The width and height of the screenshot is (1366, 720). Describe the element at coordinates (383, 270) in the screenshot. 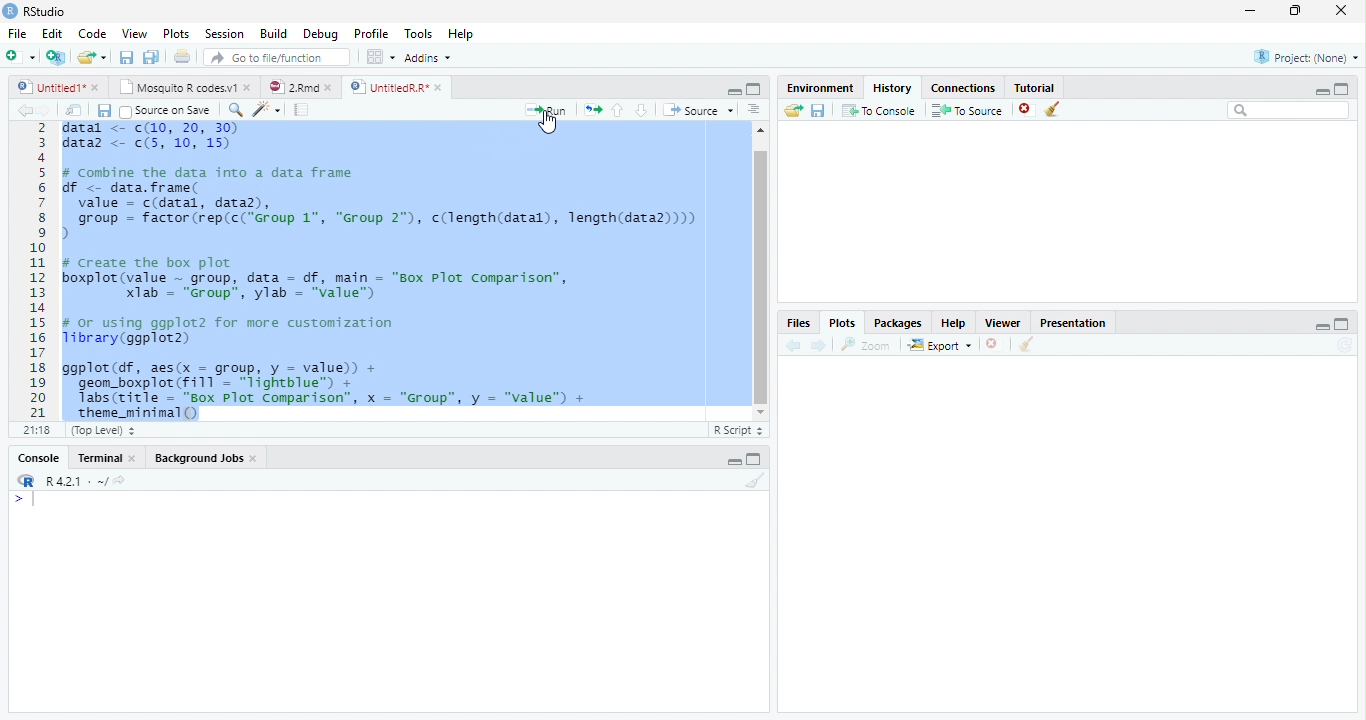

I see `datal <- c(10, 20, 30)
data2 <- c(5, 10, 15)
# combine the data into a data frame
df <- data. frame(
value = c(datal, data),
group = factor (rep(c("Group 1", "Group 2"), c(length(datal), length(data2))))
)
# create the box plot
boxplot (value ~ group, data = df, main = “Box Plot Comparison”,
X1ab = “Group®, ylab = "Value”)
# or using ggplot2 for more customization
Tibrary(ggplot2)
ggplot (df, aes(x = group, y = value) +
geom_boxplot (F111 = "1ightblue”) +
Tabs(title = "Box Plot Comparison”, x = “Group”, y = value") +
theme. minimal)` at that location.